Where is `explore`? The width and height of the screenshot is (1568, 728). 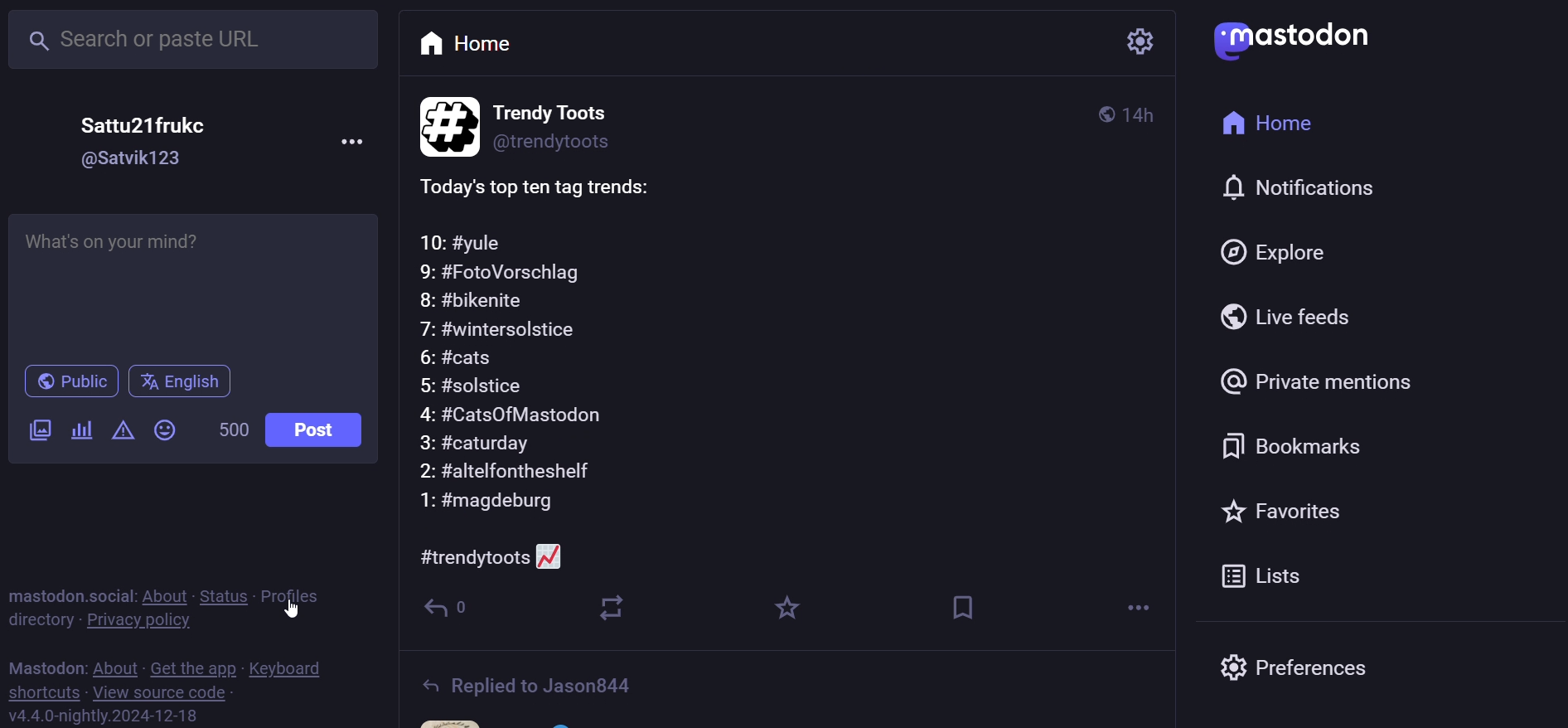
explore is located at coordinates (1285, 250).